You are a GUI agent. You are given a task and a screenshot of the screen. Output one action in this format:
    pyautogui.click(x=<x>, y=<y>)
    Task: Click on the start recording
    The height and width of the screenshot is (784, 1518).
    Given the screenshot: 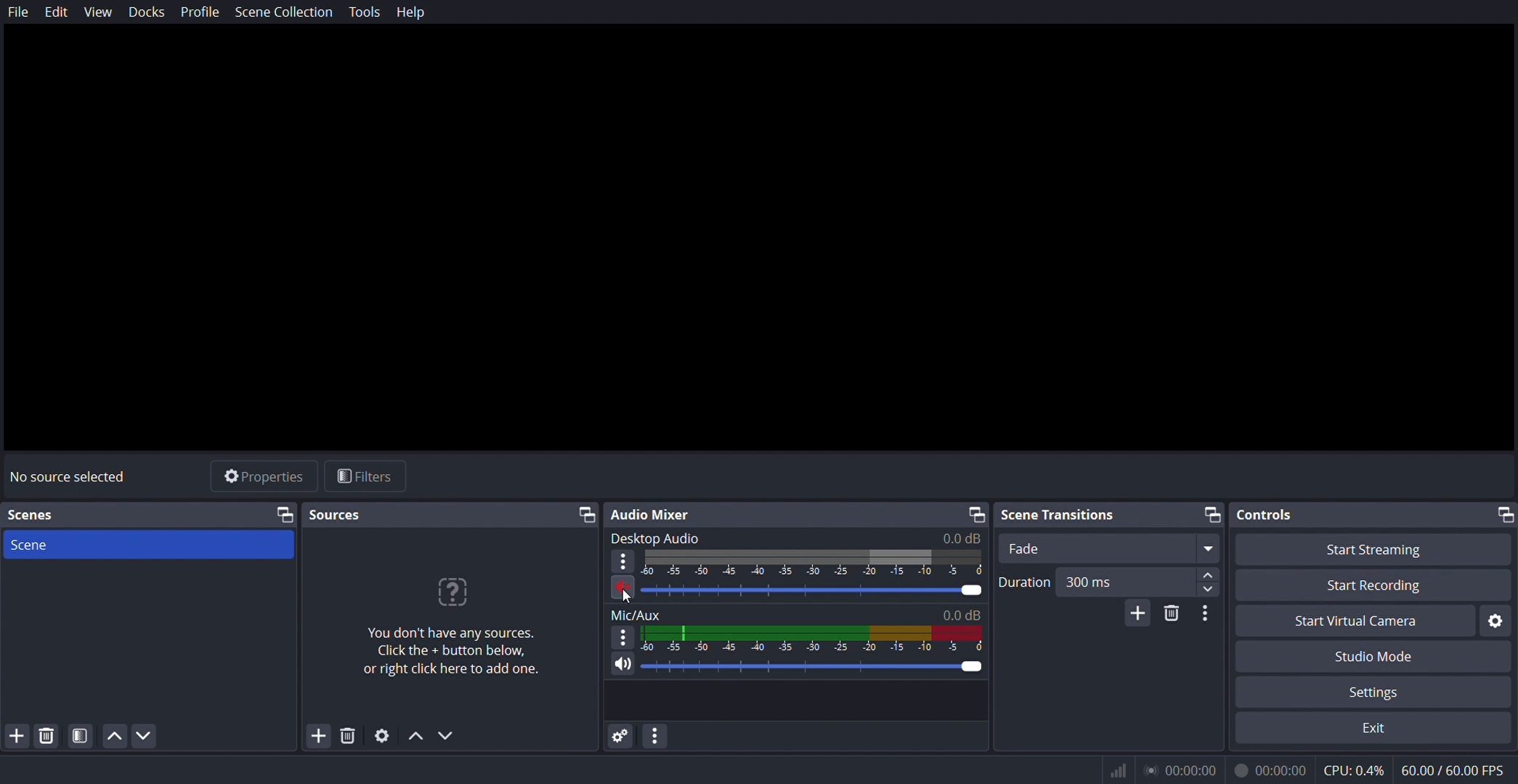 What is the action you would take?
    pyautogui.click(x=1376, y=586)
    